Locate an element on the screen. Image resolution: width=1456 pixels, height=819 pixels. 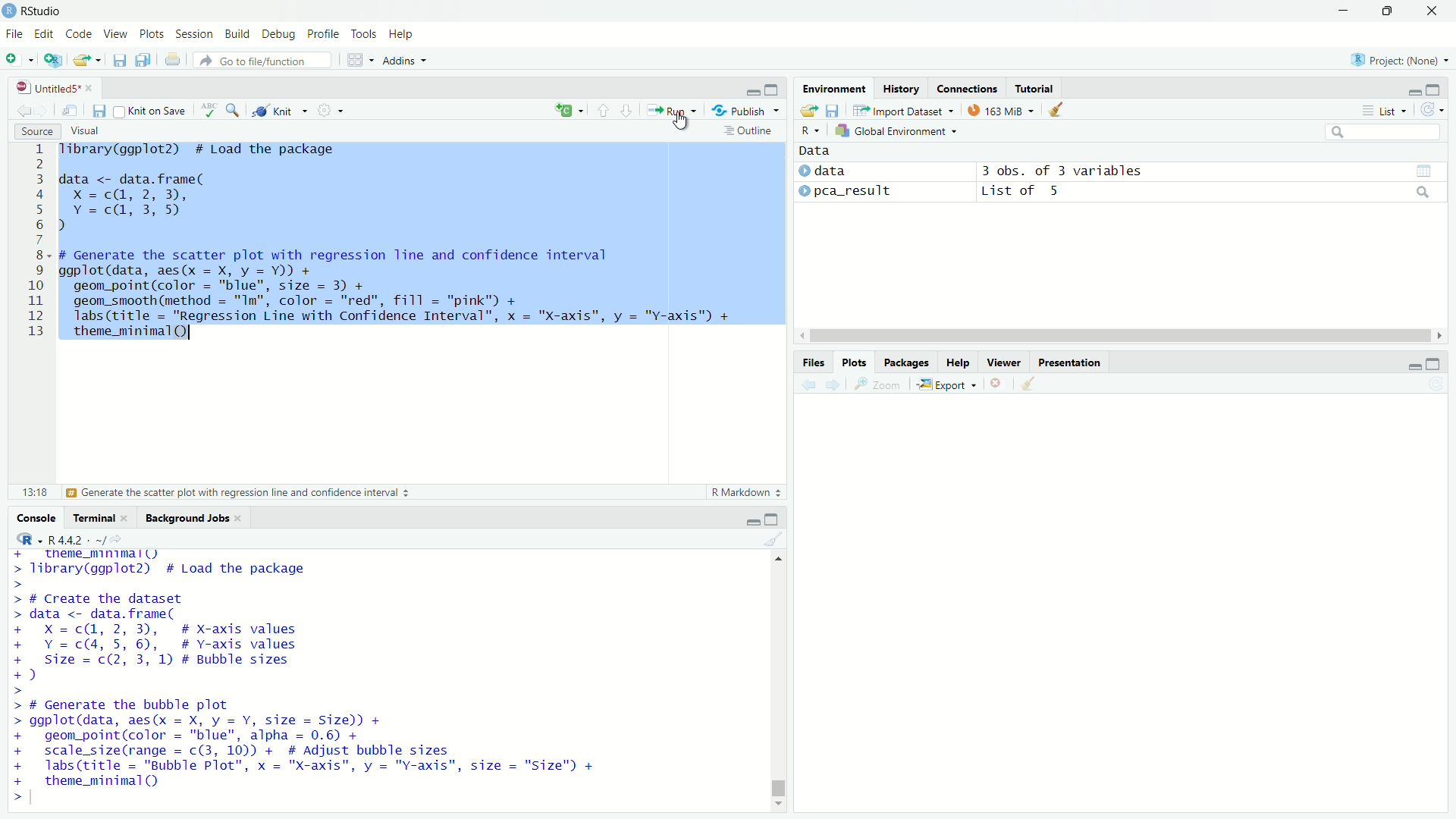
Addins is located at coordinates (404, 60).